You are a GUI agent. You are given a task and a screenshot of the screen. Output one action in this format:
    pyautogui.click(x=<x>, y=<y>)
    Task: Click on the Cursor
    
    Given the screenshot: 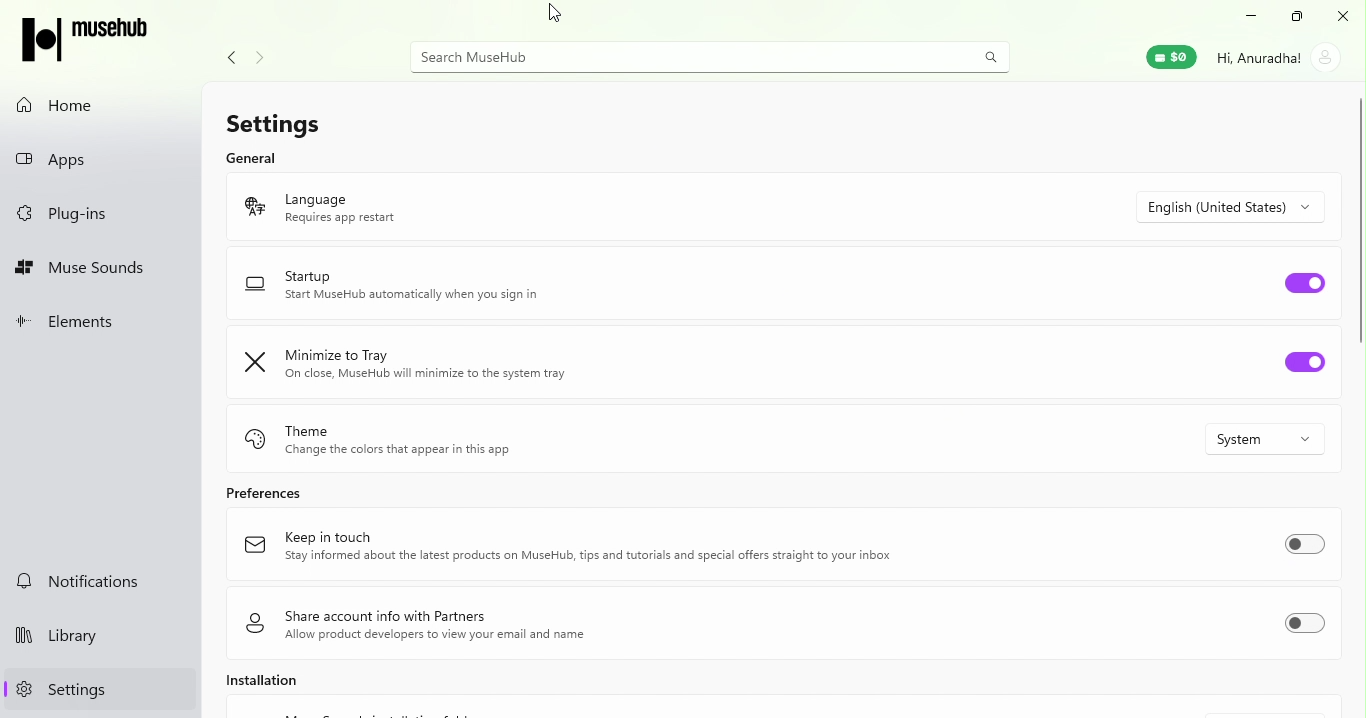 What is the action you would take?
    pyautogui.click(x=557, y=15)
    